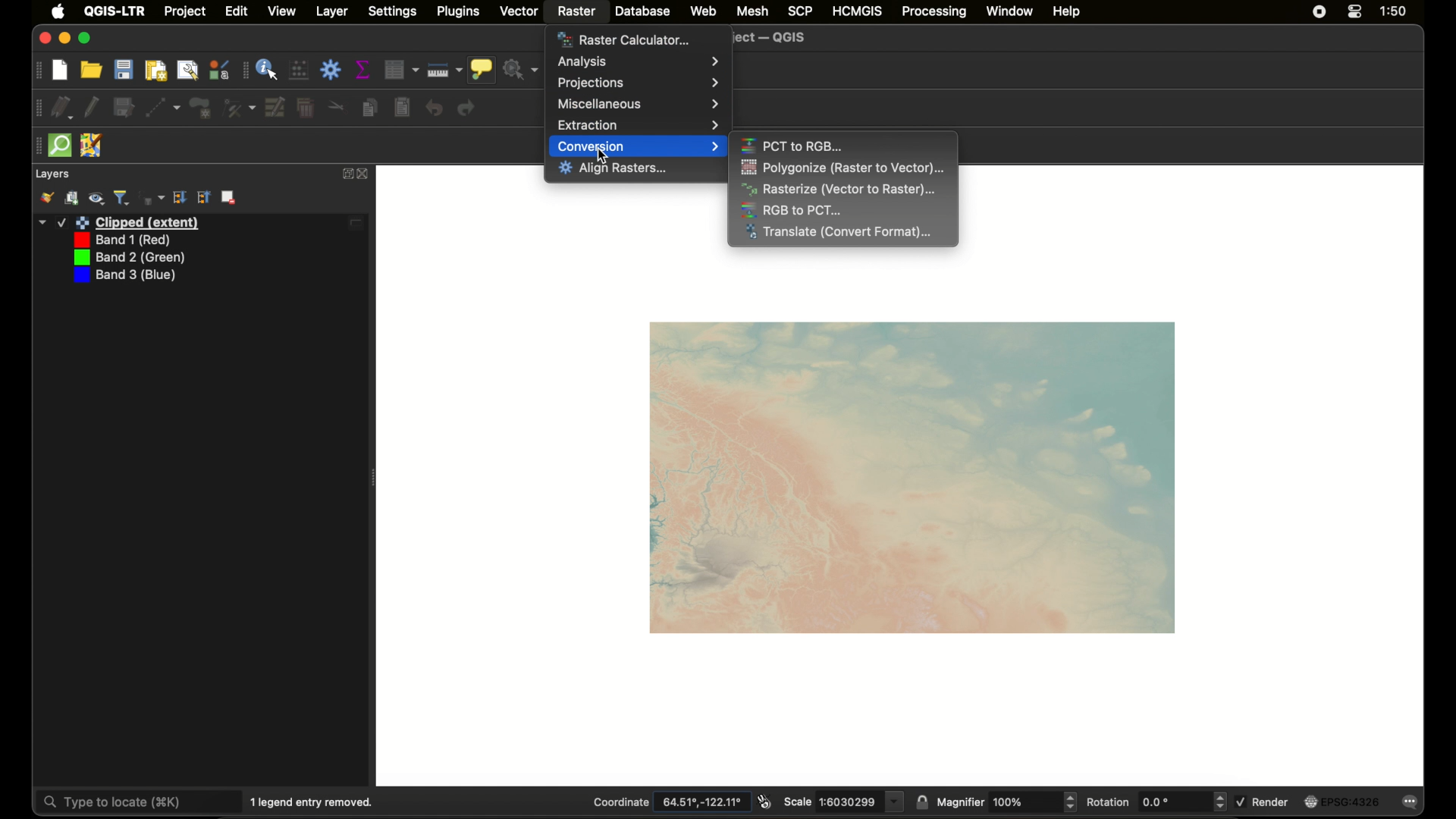 Image resolution: width=1456 pixels, height=819 pixels. Describe the element at coordinates (60, 145) in the screenshot. I see `quick osm` at that location.